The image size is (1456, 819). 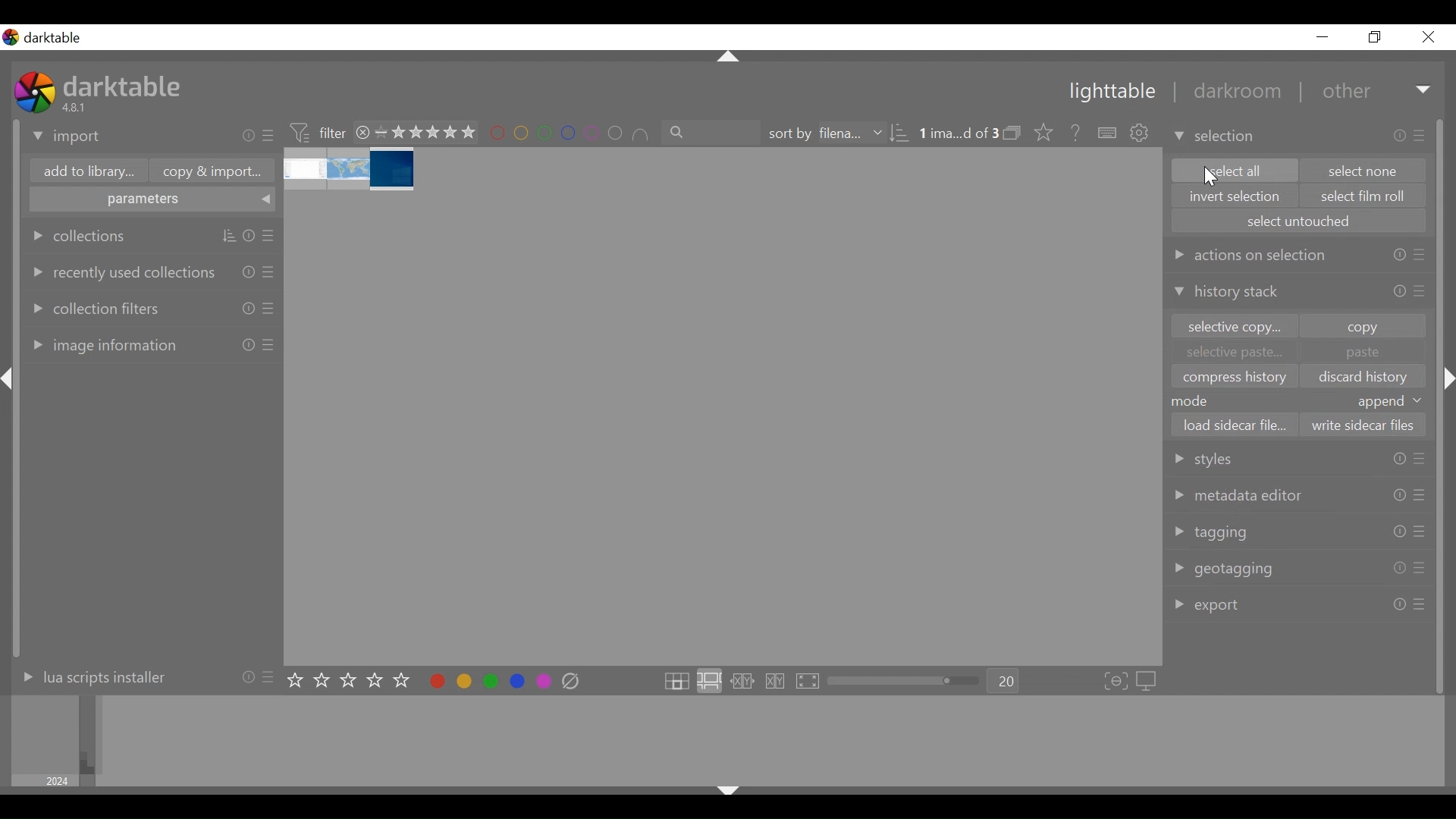 I want to click on discard history, so click(x=1368, y=378).